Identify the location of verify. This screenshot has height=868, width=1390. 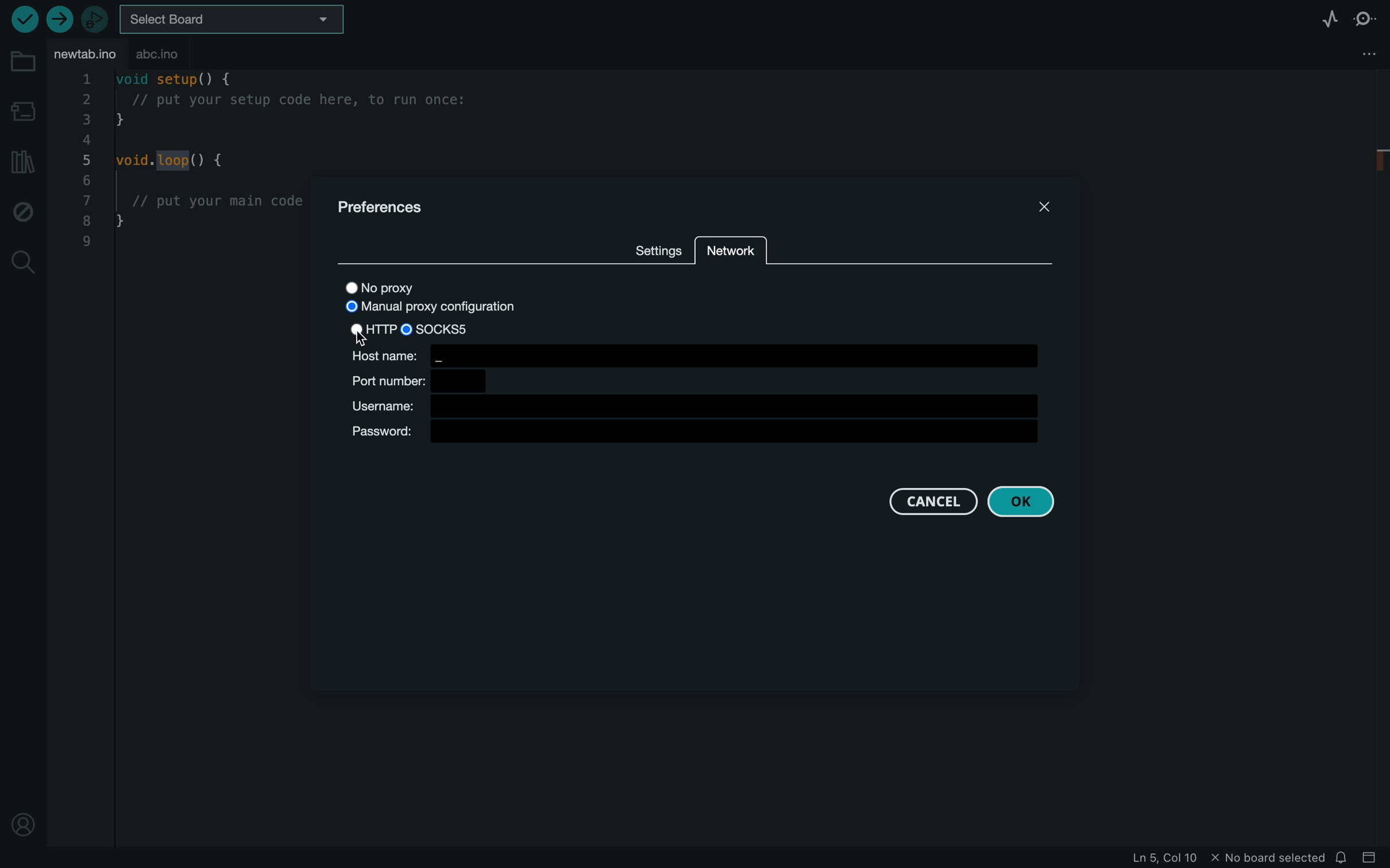
(27, 19).